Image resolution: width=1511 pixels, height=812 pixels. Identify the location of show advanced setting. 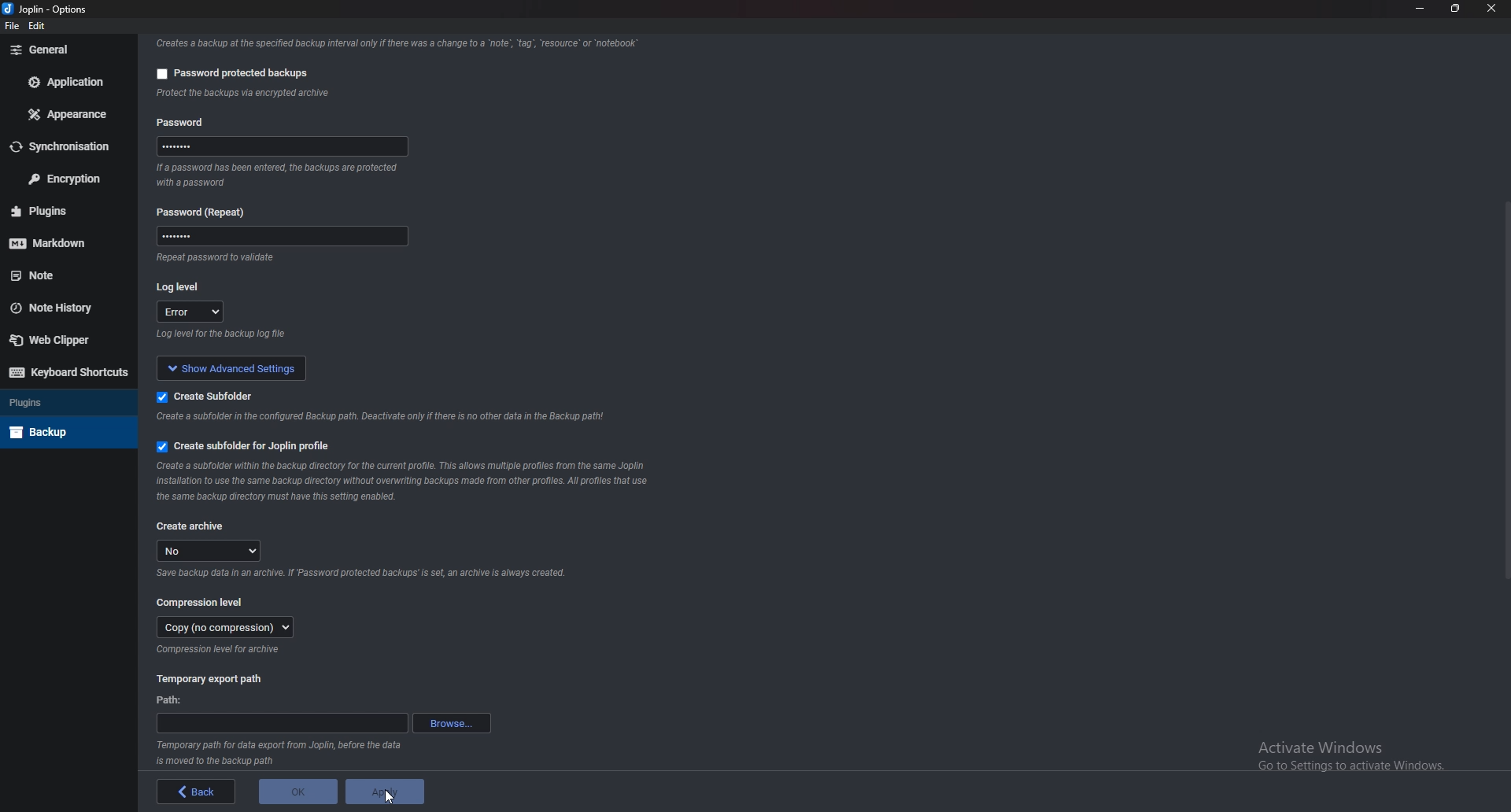
(242, 367).